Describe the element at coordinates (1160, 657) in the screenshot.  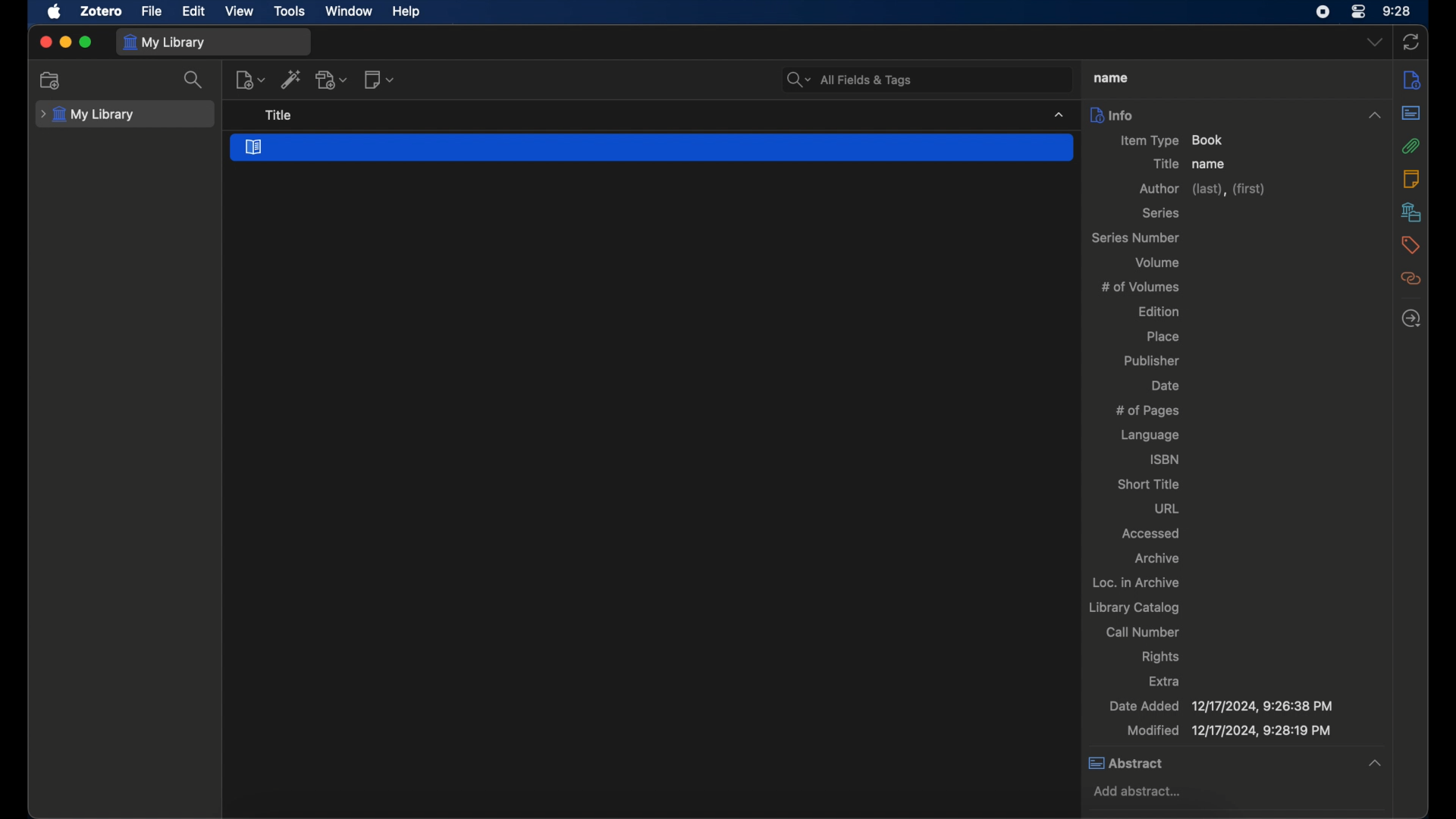
I see `rights` at that location.